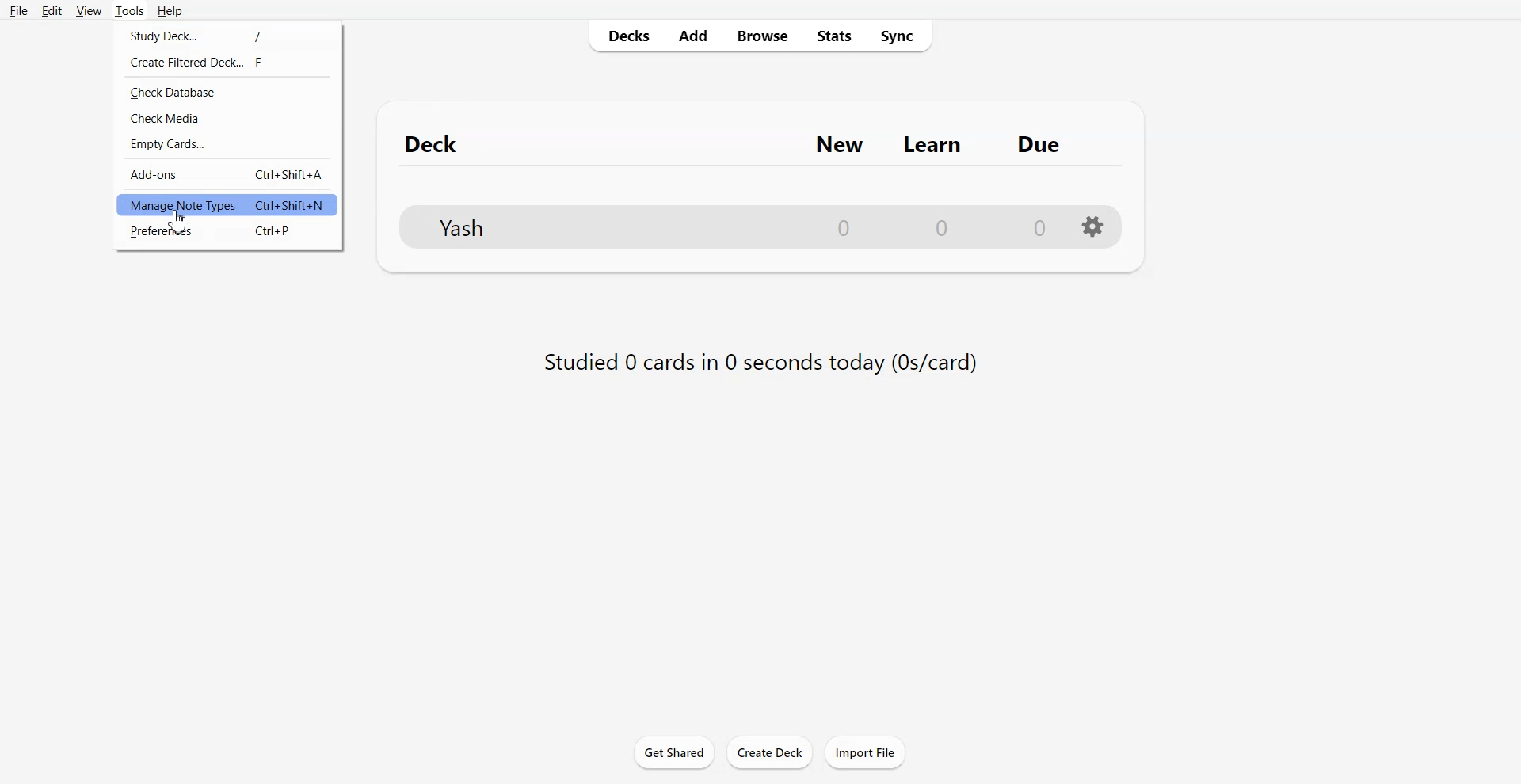 The width and height of the screenshot is (1521, 784). I want to click on New, so click(840, 144).